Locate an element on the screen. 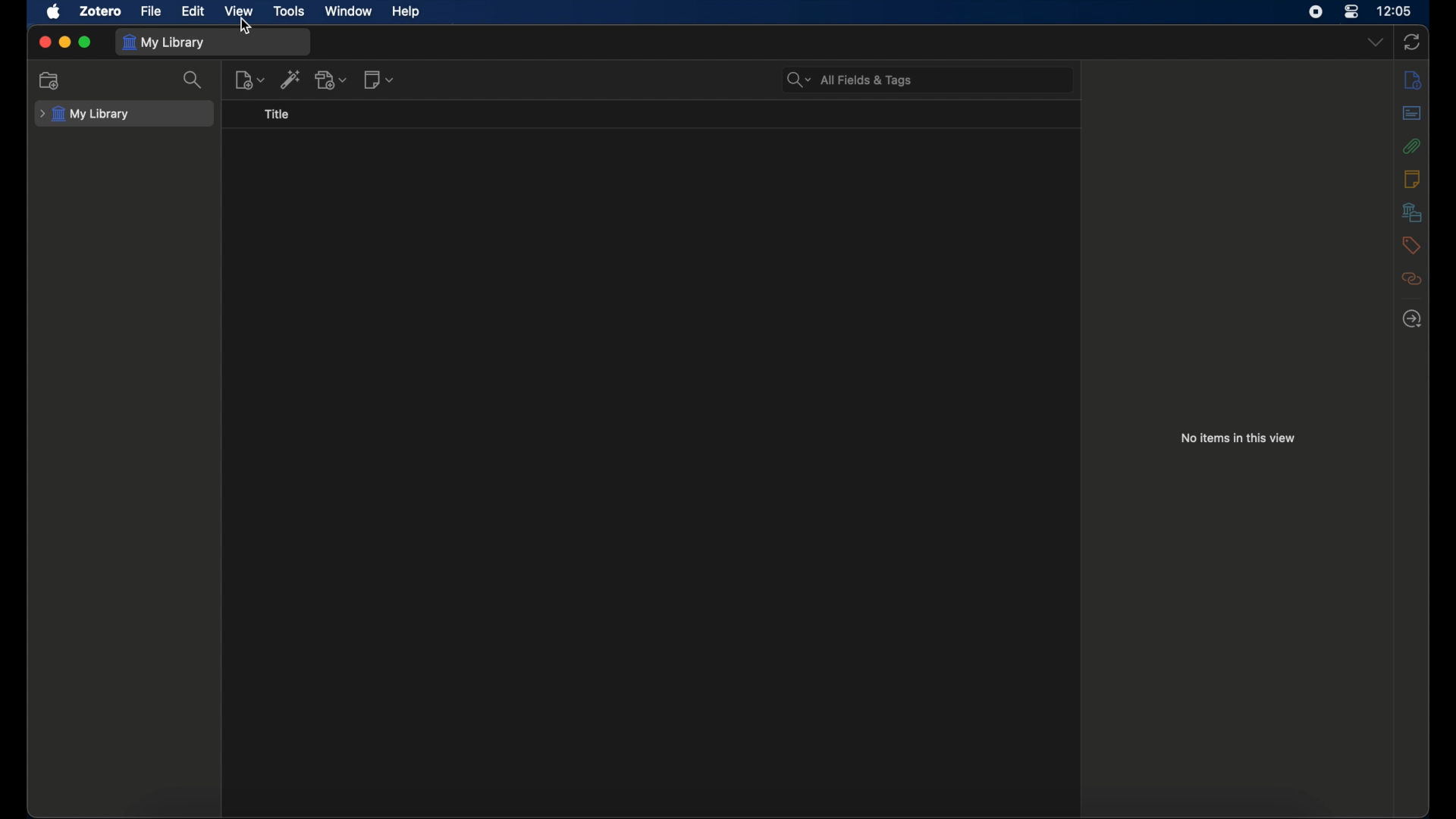 This screenshot has width=1456, height=819. attachments is located at coordinates (1411, 146).